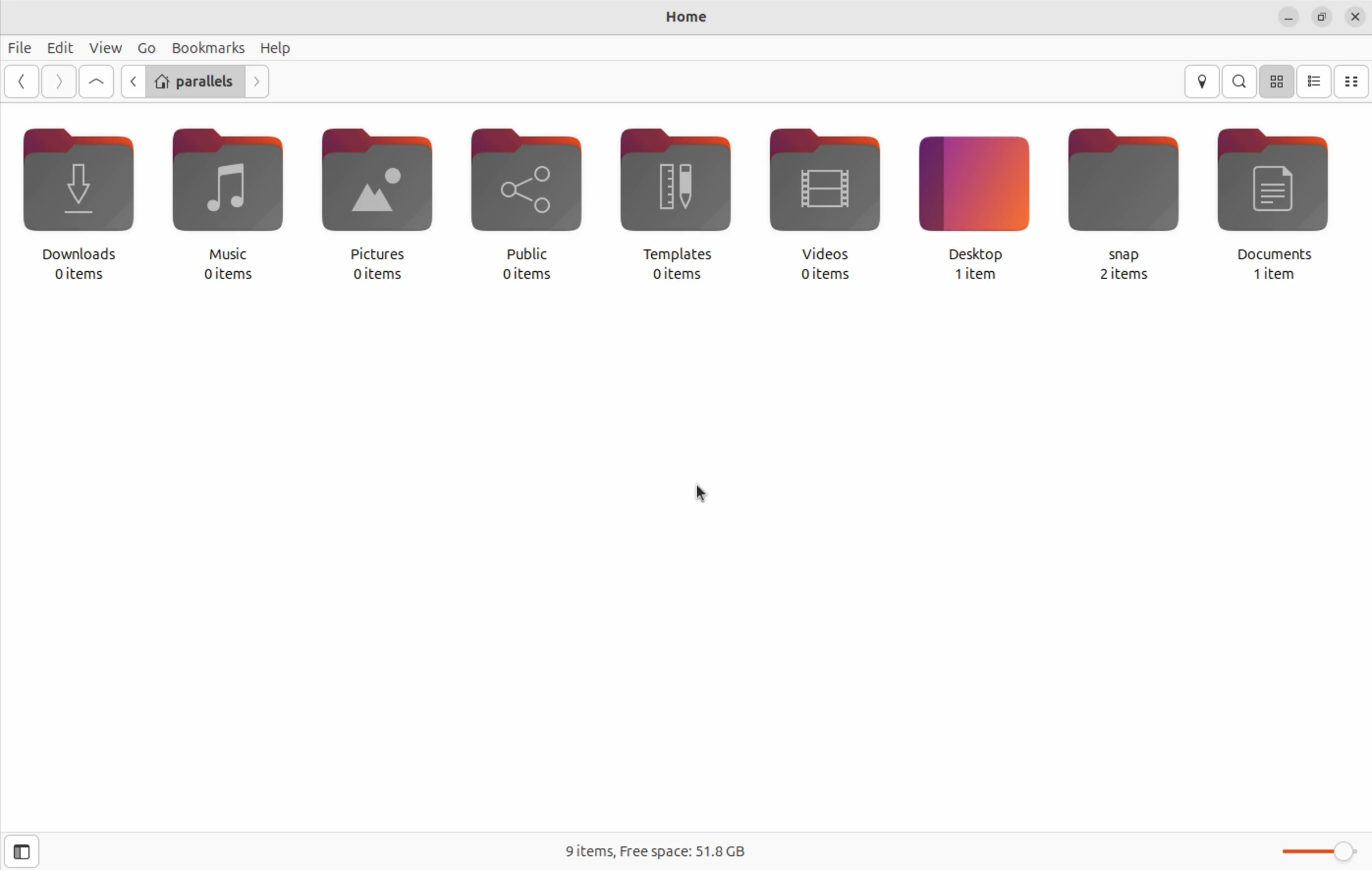 The width and height of the screenshot is (1372, 870). I want to click on pictures, so click(374, 190).